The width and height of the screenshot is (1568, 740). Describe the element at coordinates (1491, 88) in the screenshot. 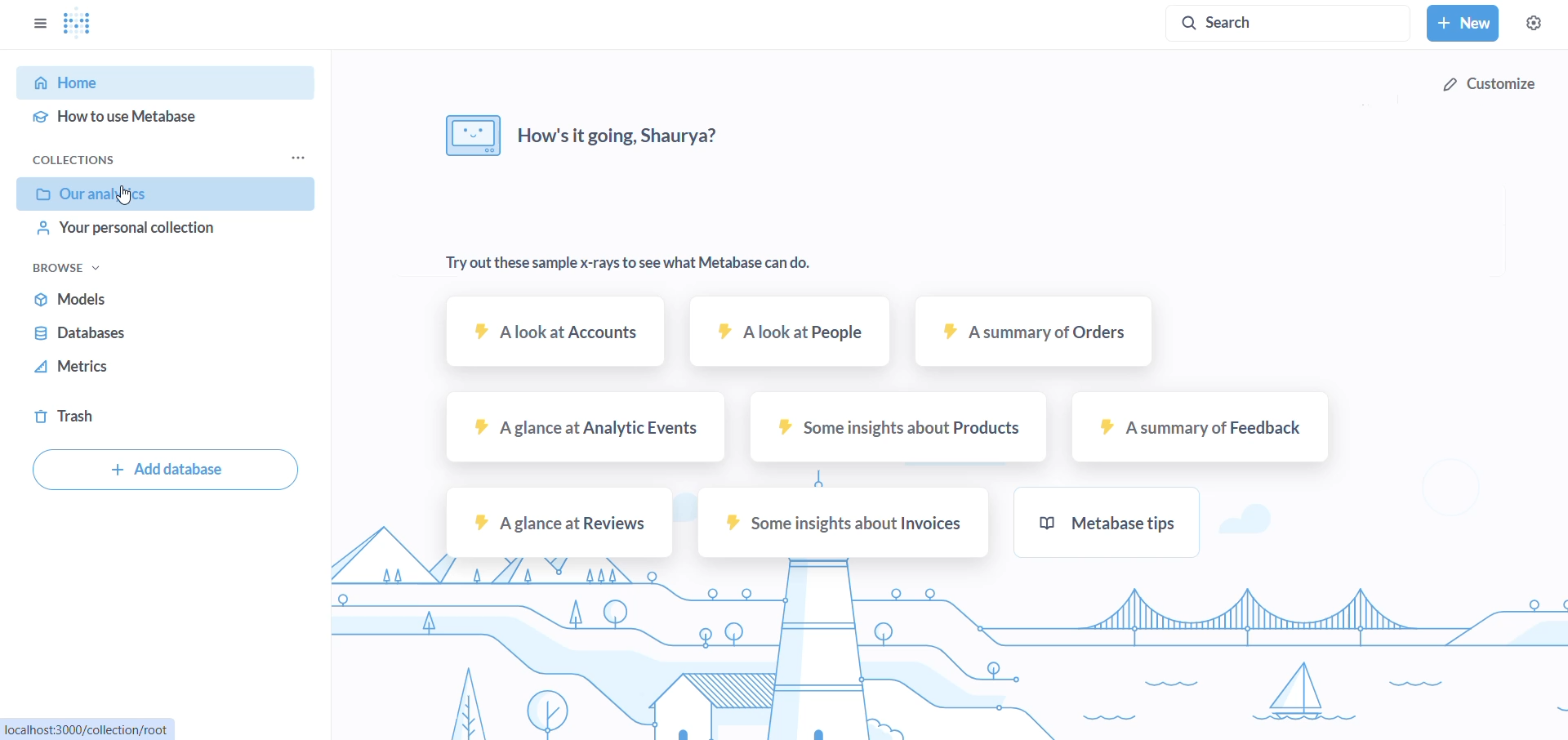

I see `customize` at that location.